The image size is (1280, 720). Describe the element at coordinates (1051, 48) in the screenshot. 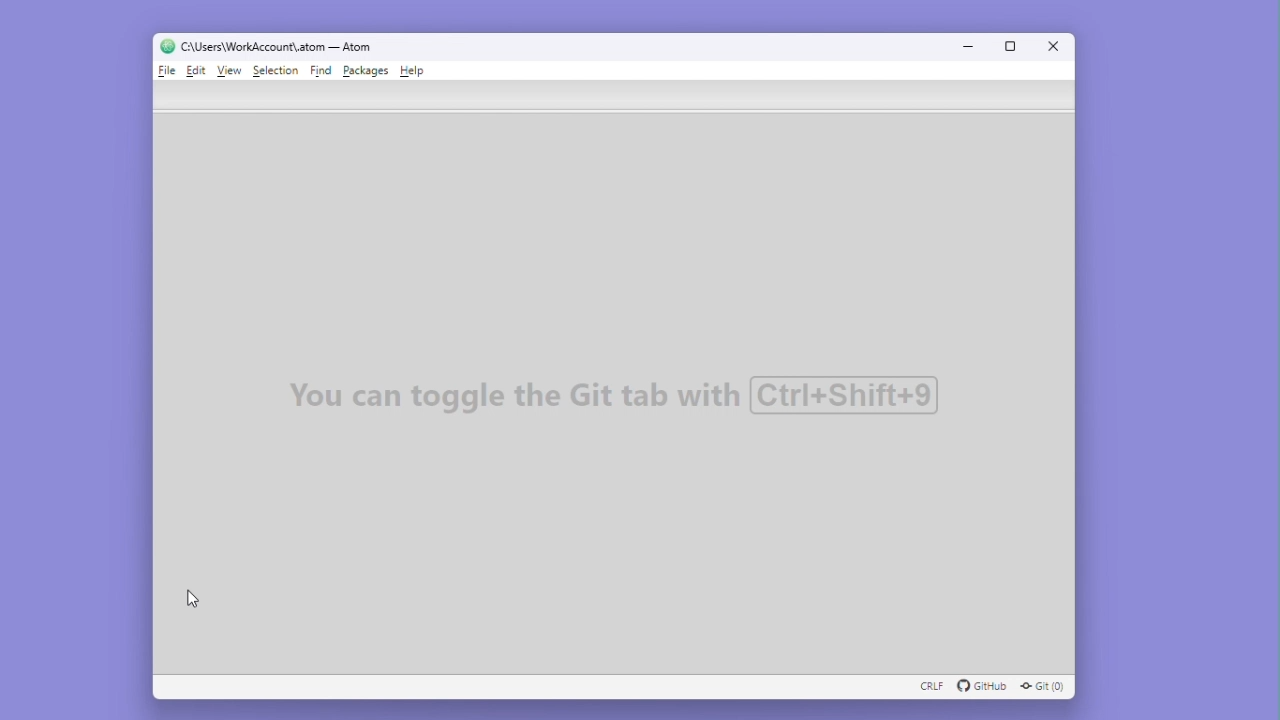

I see `Close` at that location.